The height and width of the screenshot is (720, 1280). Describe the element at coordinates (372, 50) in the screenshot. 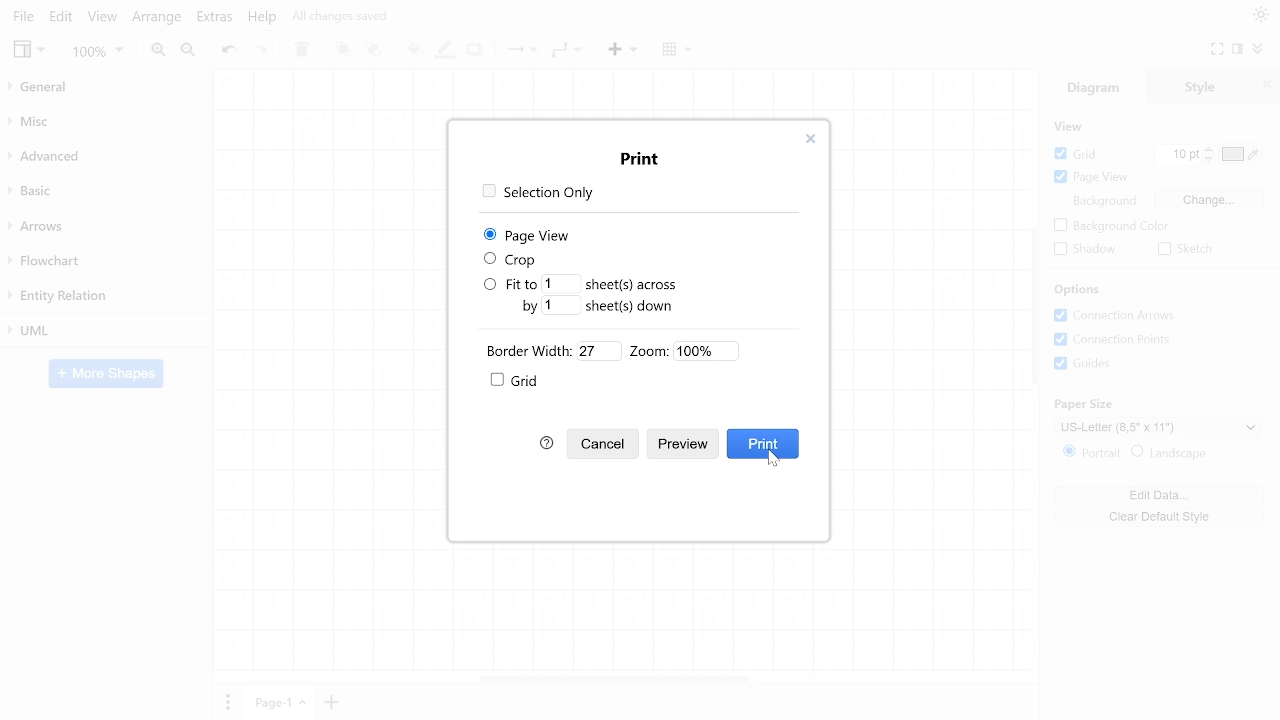

I see `To back` at that location.